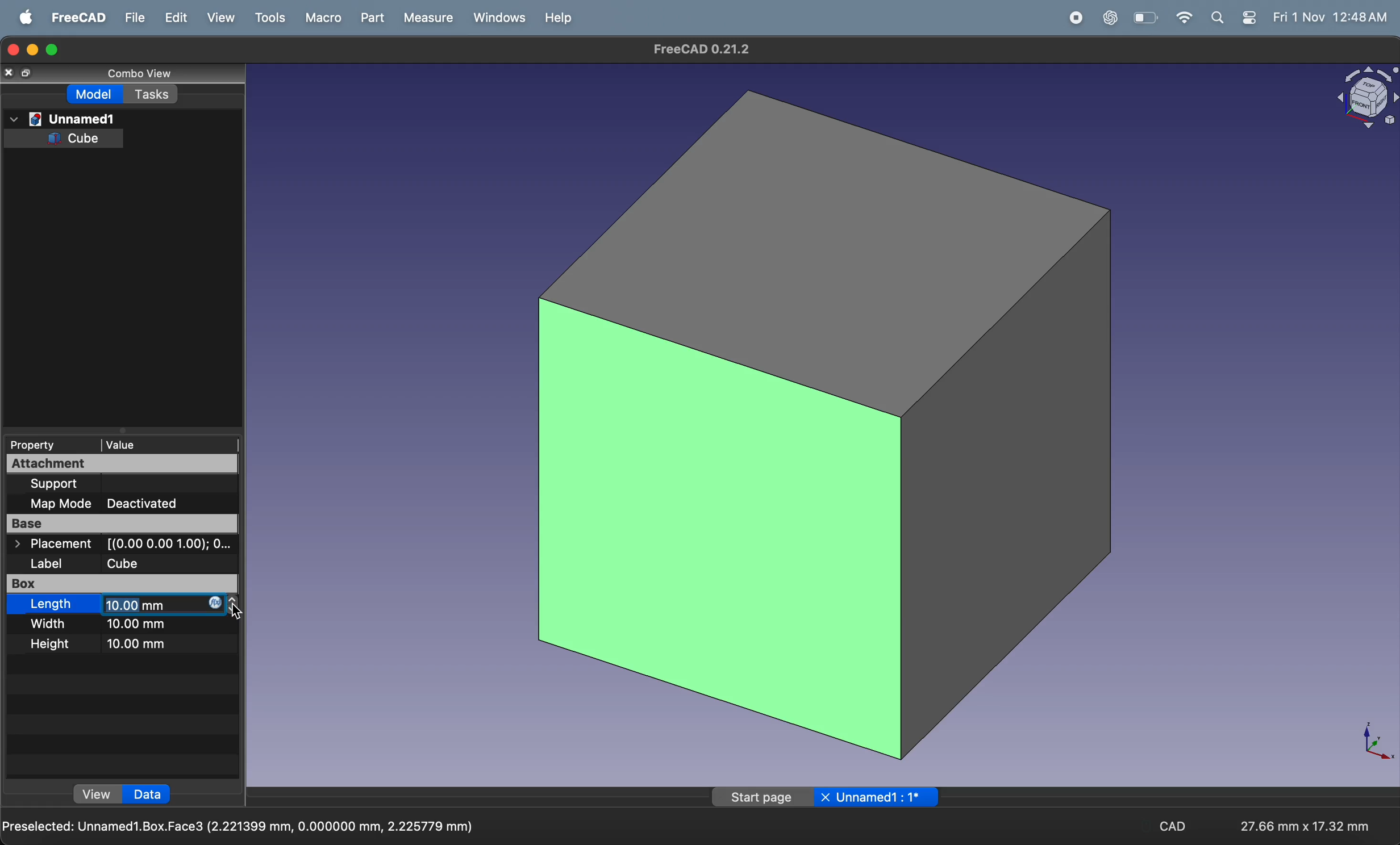 The image size is (1400, 845). What do you see at coordinates (77, 139) in the screenshot?
I see `cube` at bounding box center [77, 139].